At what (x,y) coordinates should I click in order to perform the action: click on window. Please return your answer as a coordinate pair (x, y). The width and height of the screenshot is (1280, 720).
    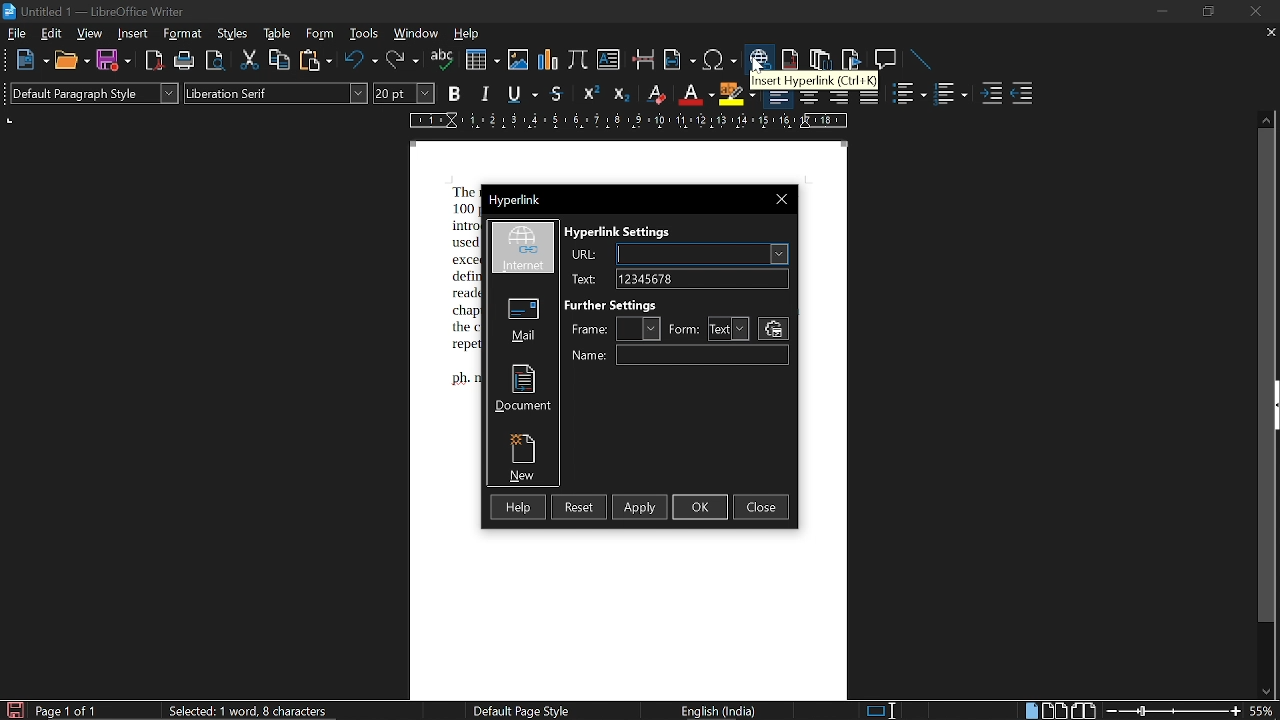
    Looking at the image, I should click on (415, 35).